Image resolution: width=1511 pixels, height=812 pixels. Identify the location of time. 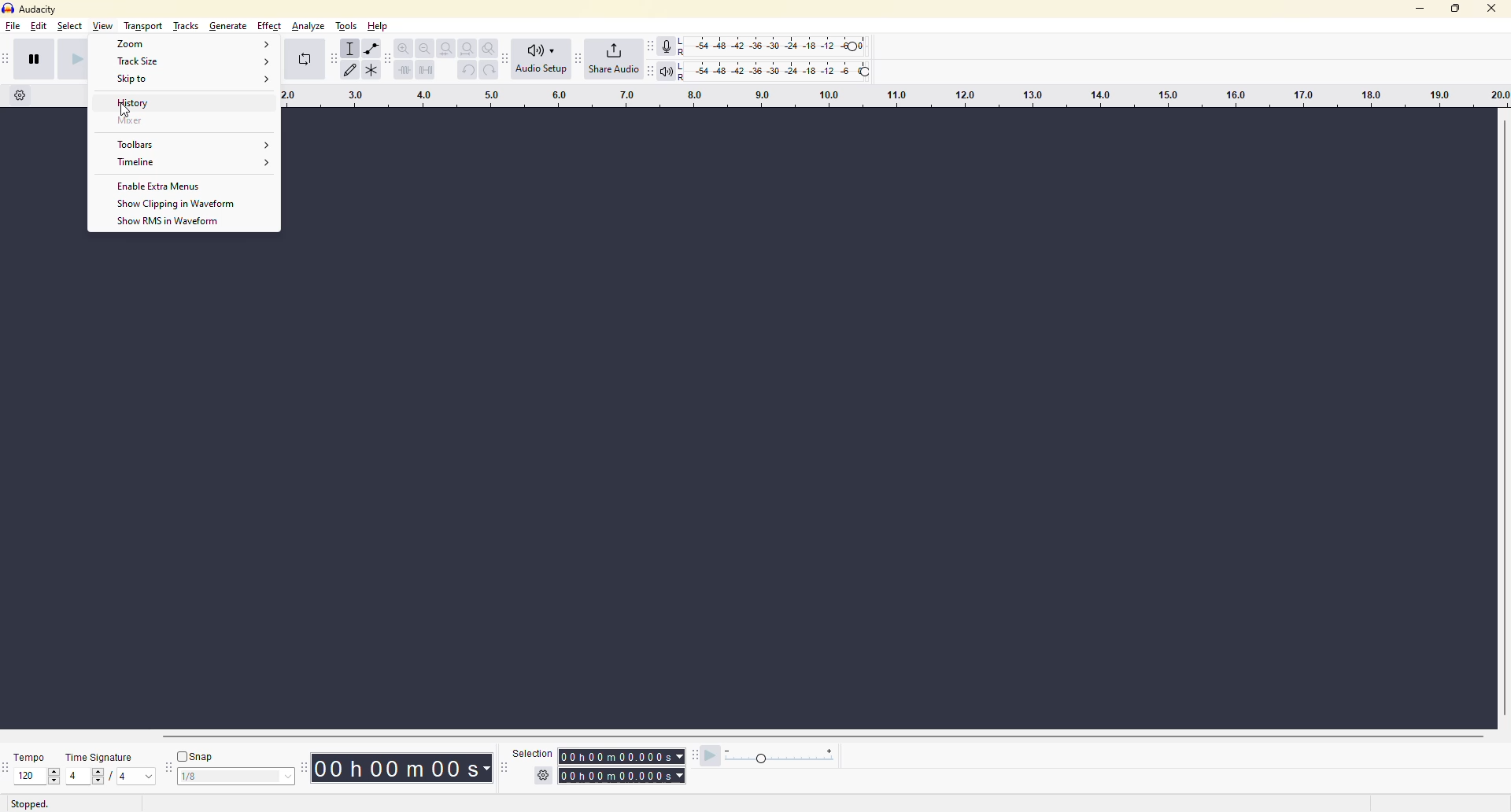
(399, 767).